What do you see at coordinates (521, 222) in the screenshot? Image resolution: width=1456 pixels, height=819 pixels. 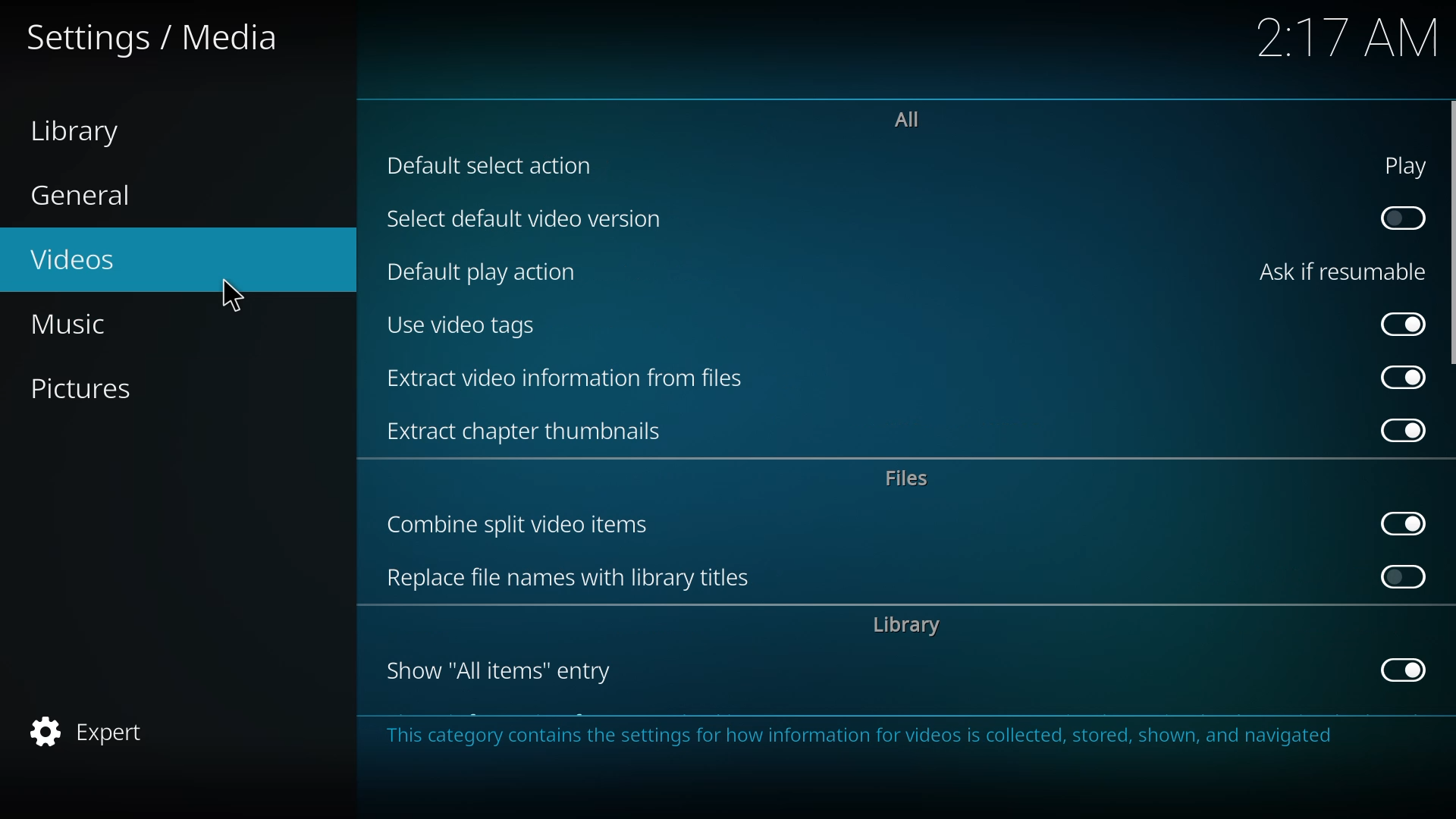 I see `select default video version` at bounding box center [521, 222].